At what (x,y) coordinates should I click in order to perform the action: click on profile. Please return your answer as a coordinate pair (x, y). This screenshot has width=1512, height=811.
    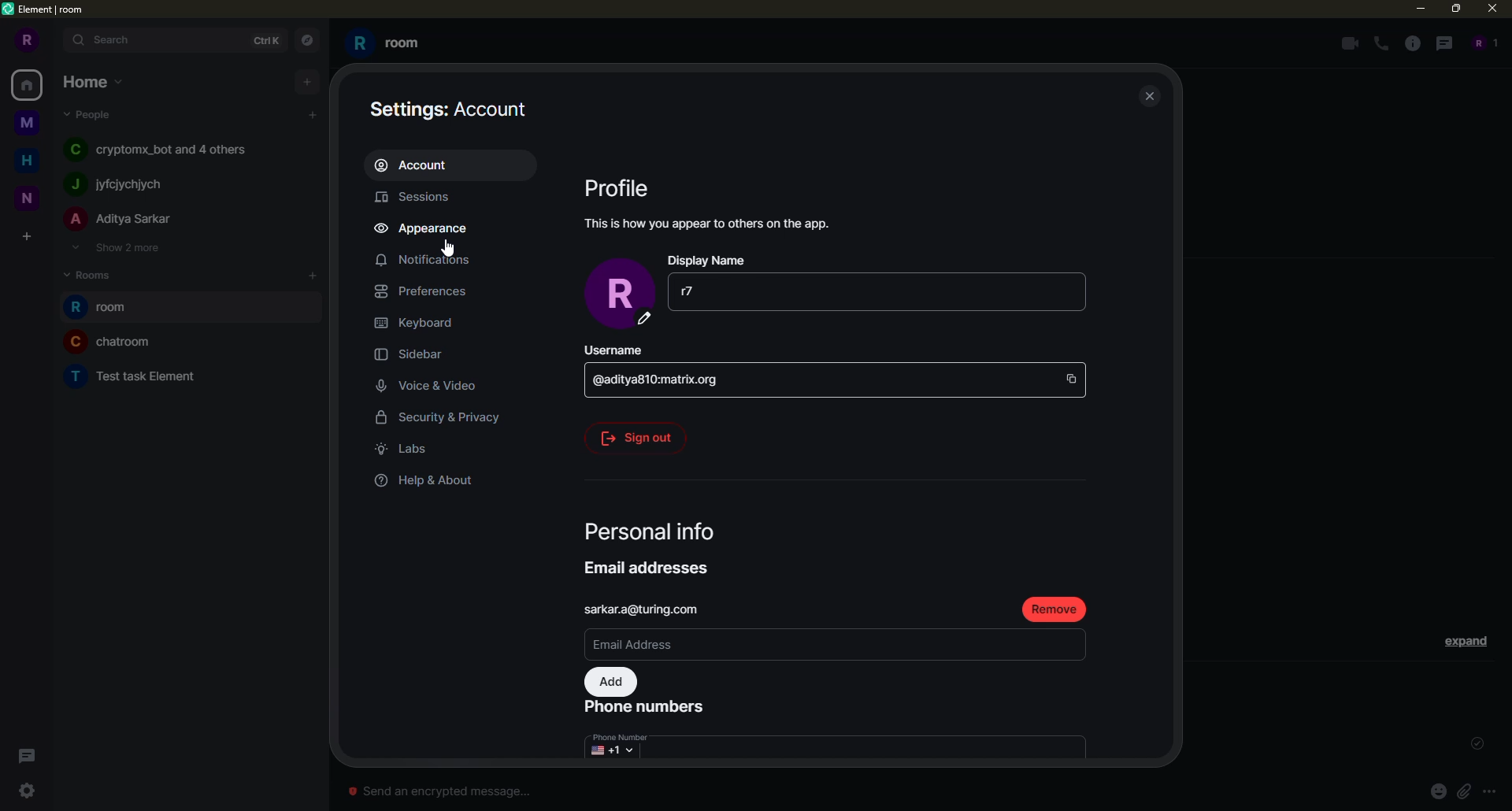
    Looking at the image, I should click on (619, 186).